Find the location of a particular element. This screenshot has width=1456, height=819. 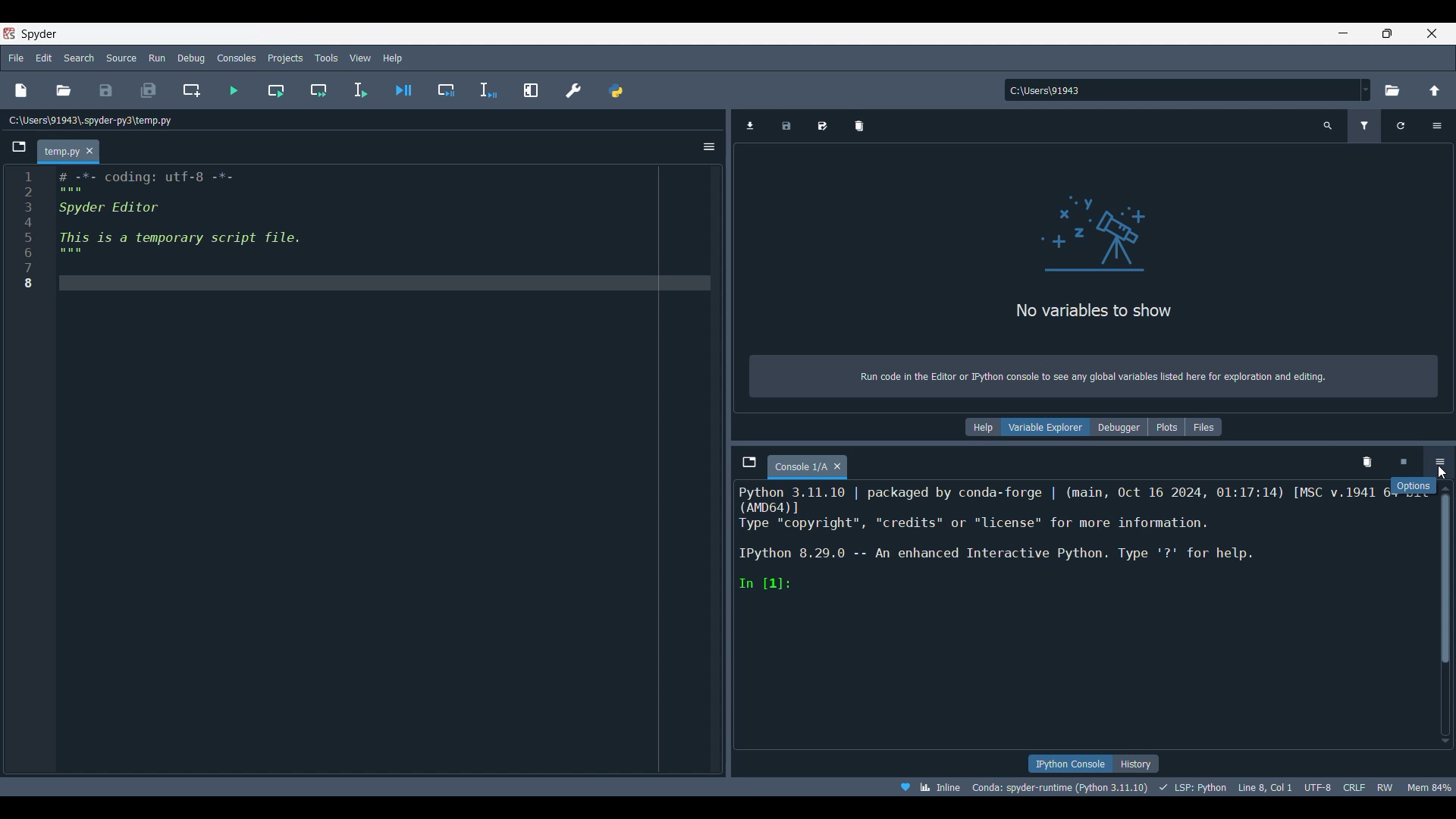

Debug selection or current line is located at coordinates (488, 90).